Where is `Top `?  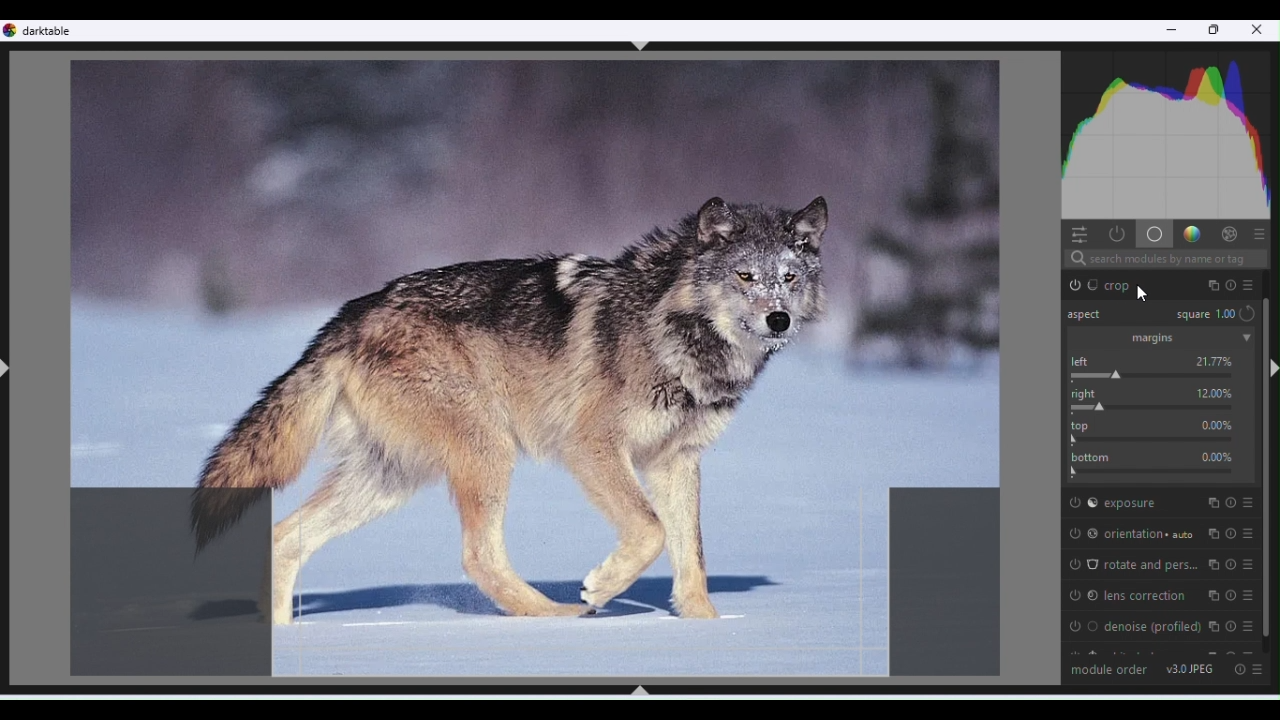 Top  is located at coordinates (1161, 438).